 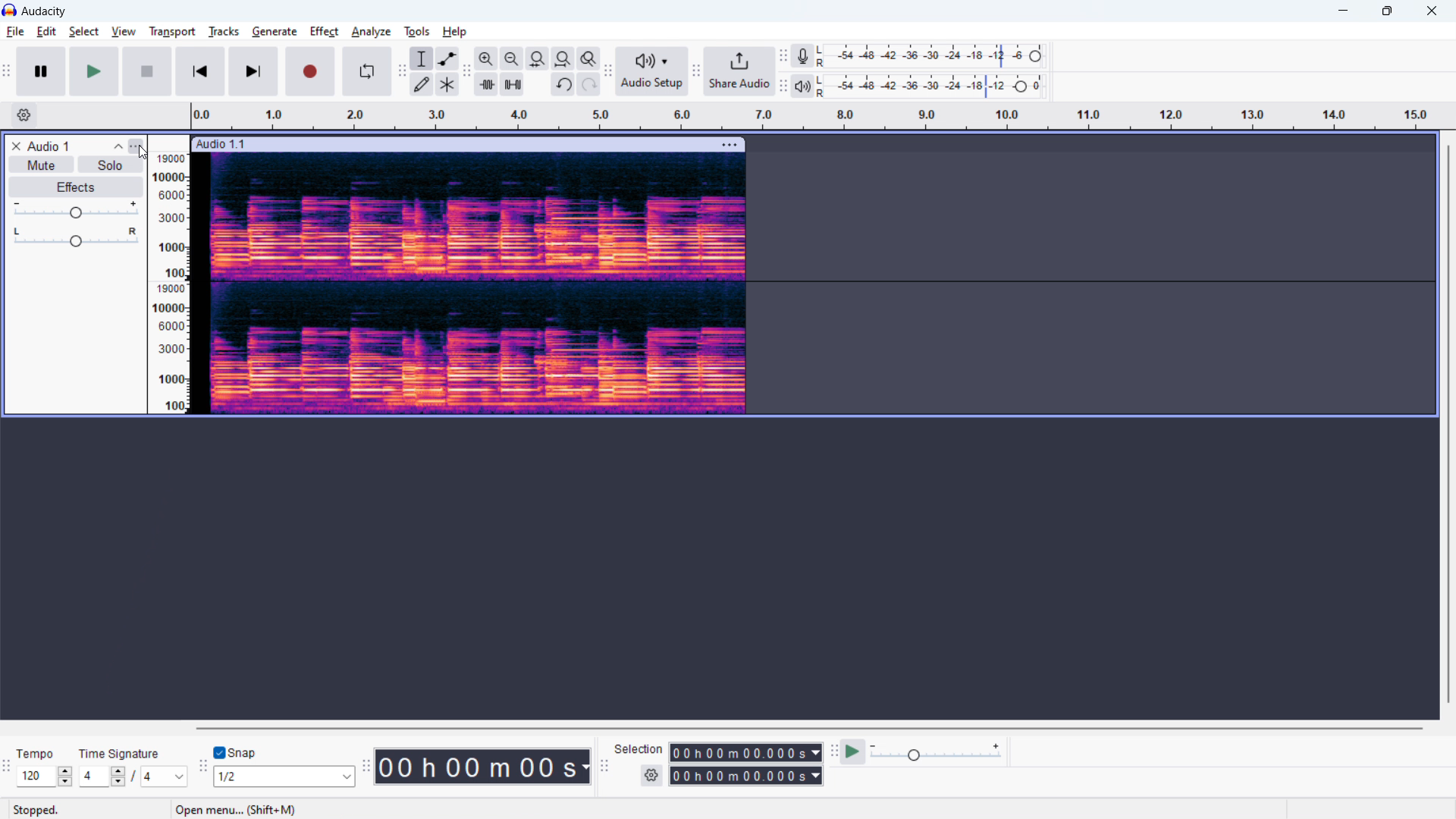 What do you see at coordinates (94, 777) in the screenshot?
I see `time signature beats per measure` at bounding box center [94, 777].